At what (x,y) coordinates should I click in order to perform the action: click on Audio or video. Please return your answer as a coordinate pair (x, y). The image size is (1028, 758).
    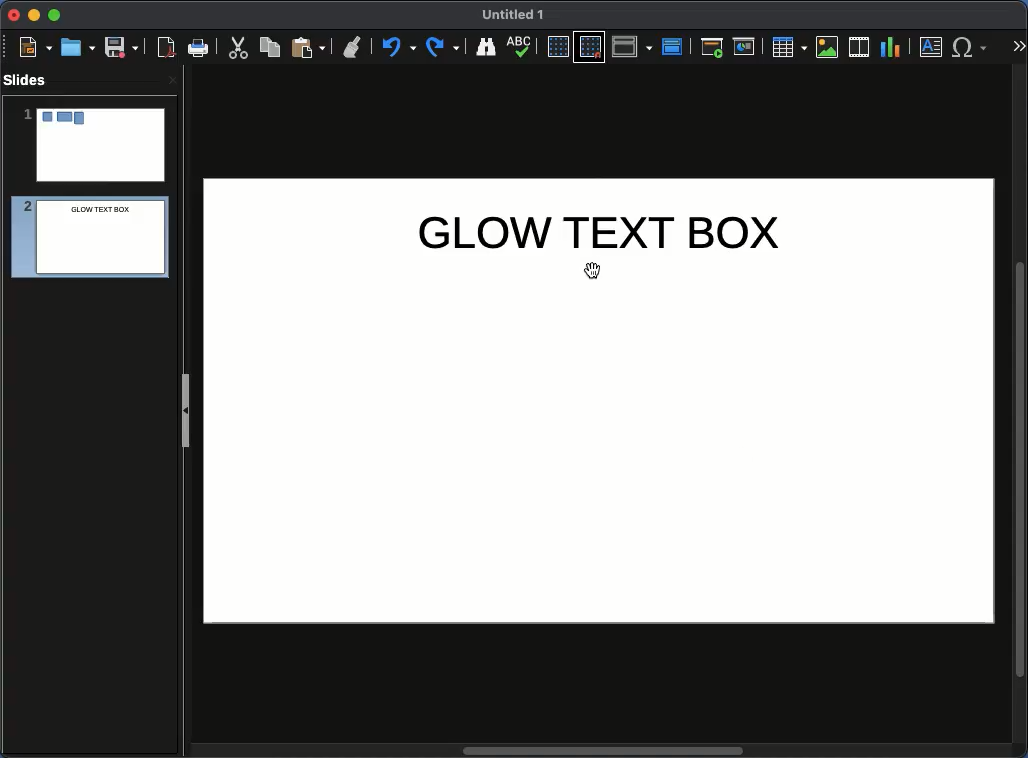
    Looking at the image, I should click on (860, 47).